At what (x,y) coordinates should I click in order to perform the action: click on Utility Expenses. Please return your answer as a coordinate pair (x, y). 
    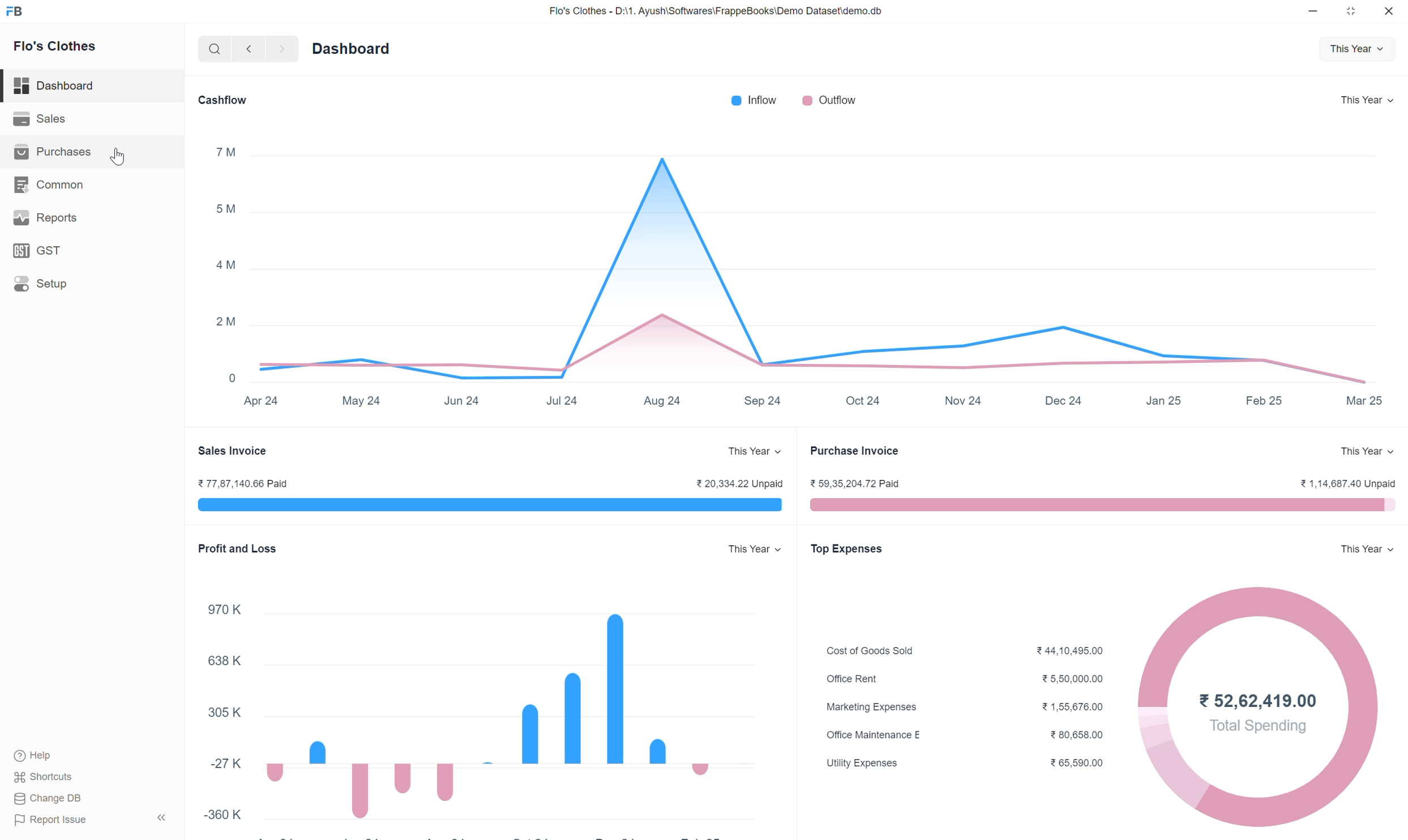
    Looking at the image, I should click on (863, 764).